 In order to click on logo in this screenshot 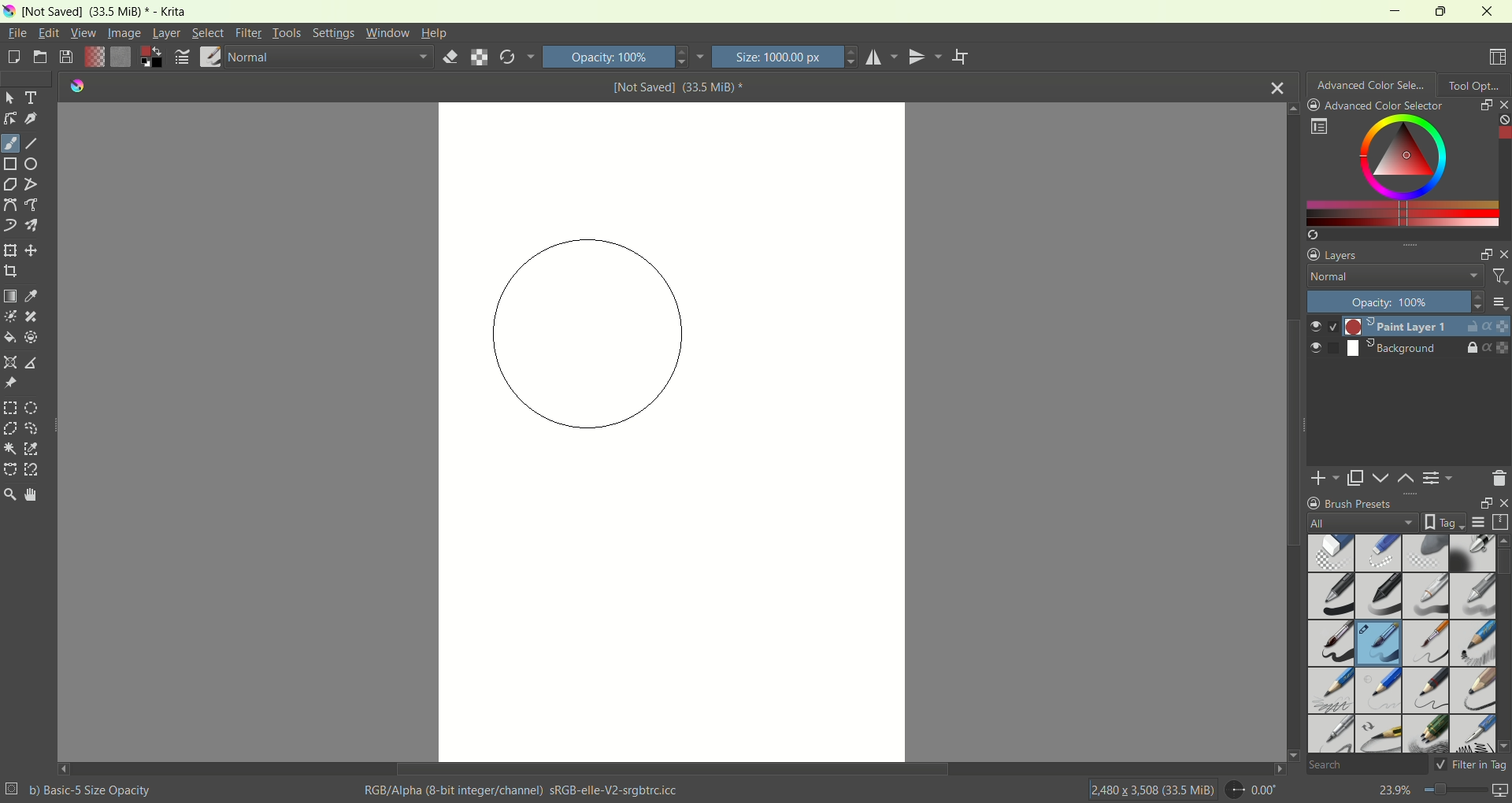, I will do `click(9, 12)`.